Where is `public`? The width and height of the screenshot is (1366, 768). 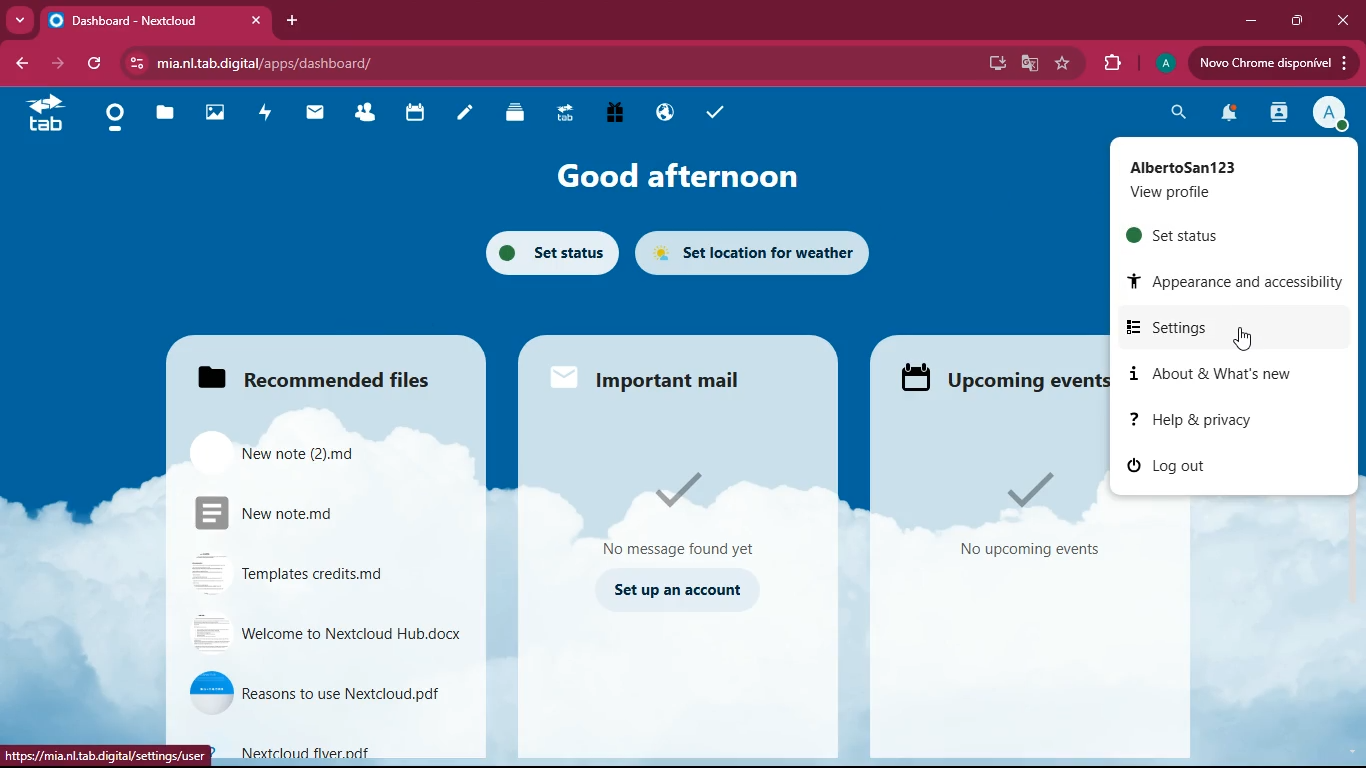 public is located at coordinates (661, 111).